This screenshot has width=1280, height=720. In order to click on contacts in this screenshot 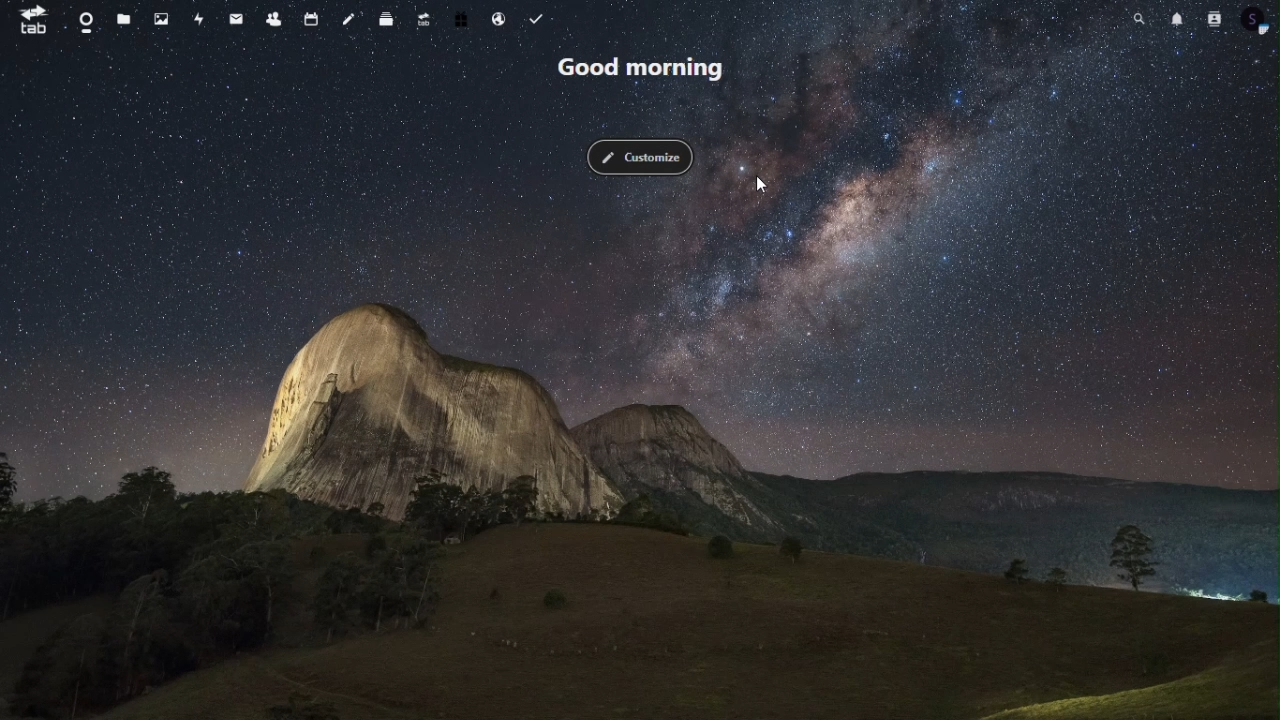, I will do `click(1213, 17)`.